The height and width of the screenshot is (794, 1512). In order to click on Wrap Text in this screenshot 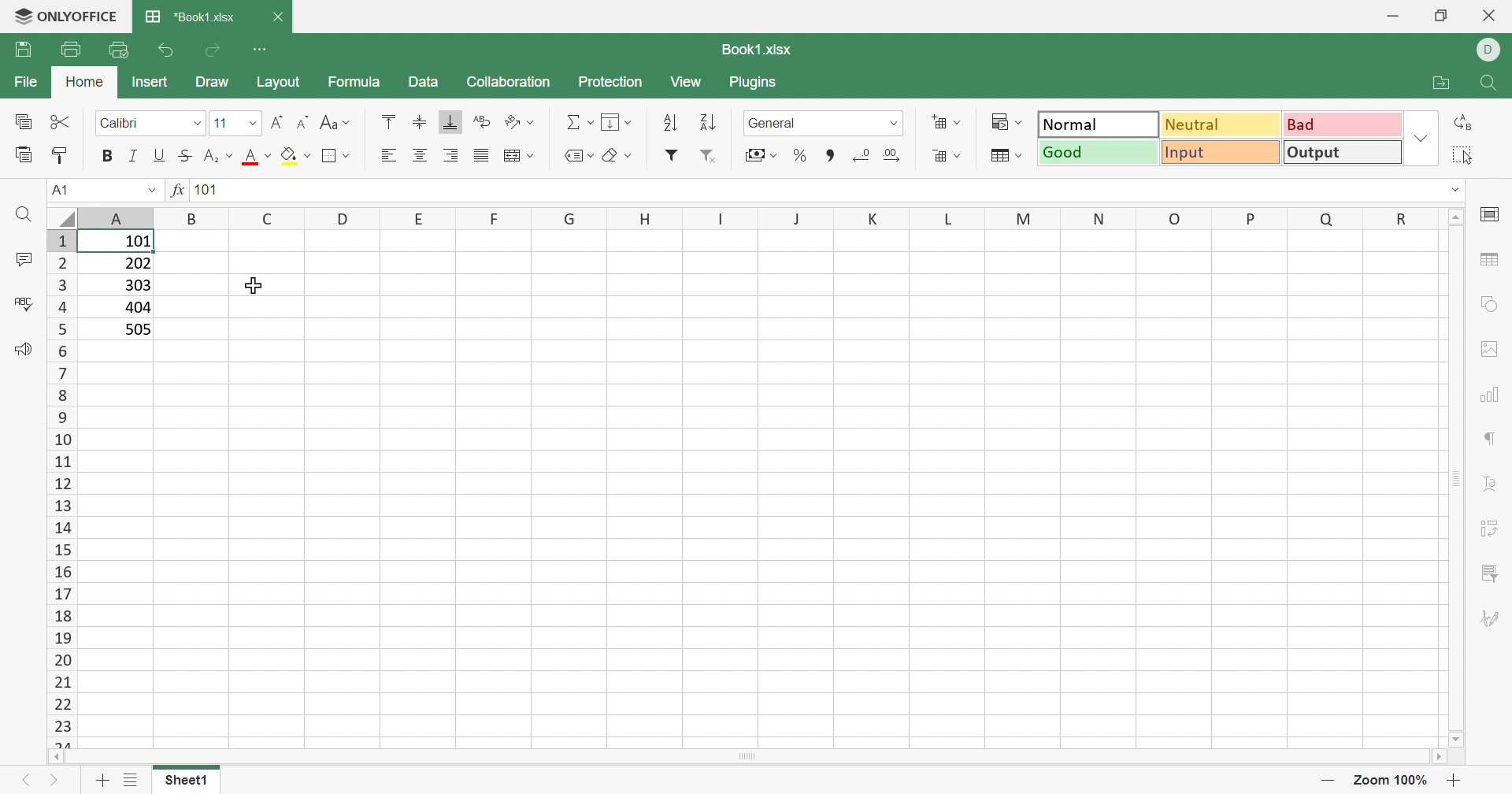, I will do `click(480, 123)`.